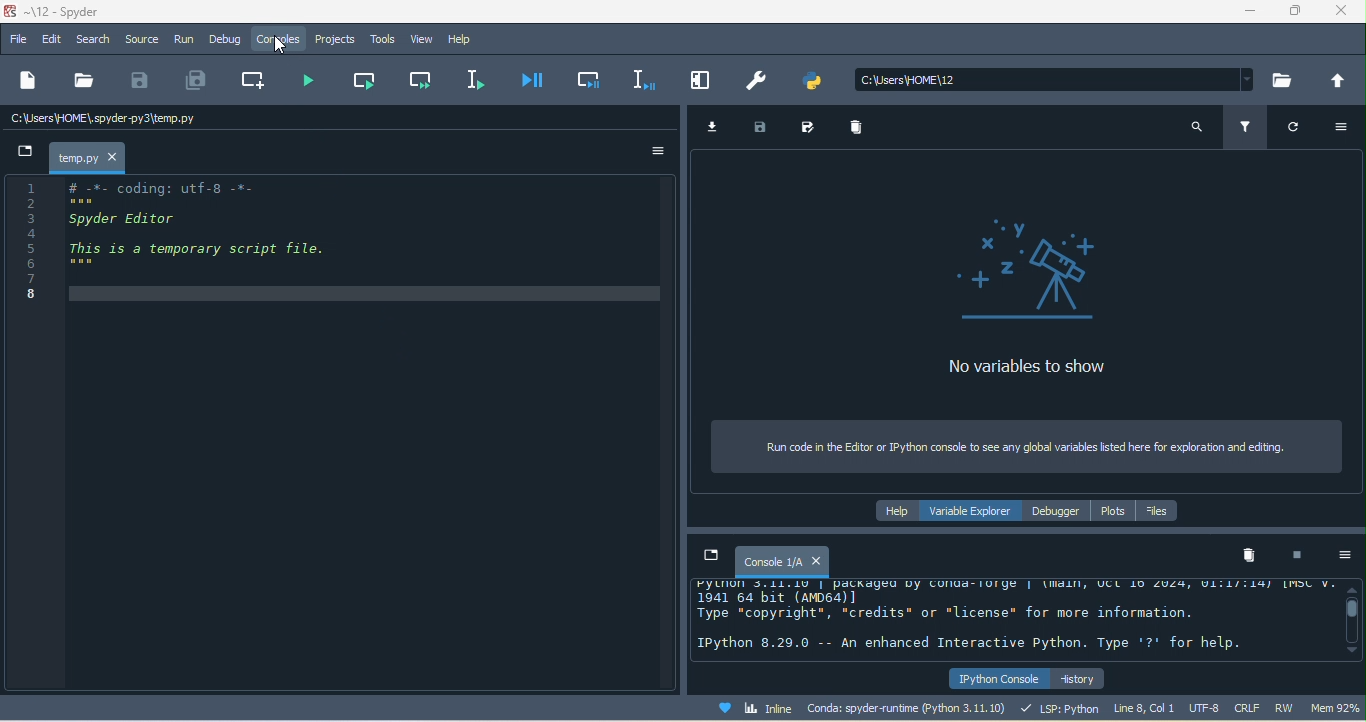 The height and width of the screenshot is (722, 1366). Describe the element at coordinates (716, 127) in the screenshot. I see `import data` at that location.